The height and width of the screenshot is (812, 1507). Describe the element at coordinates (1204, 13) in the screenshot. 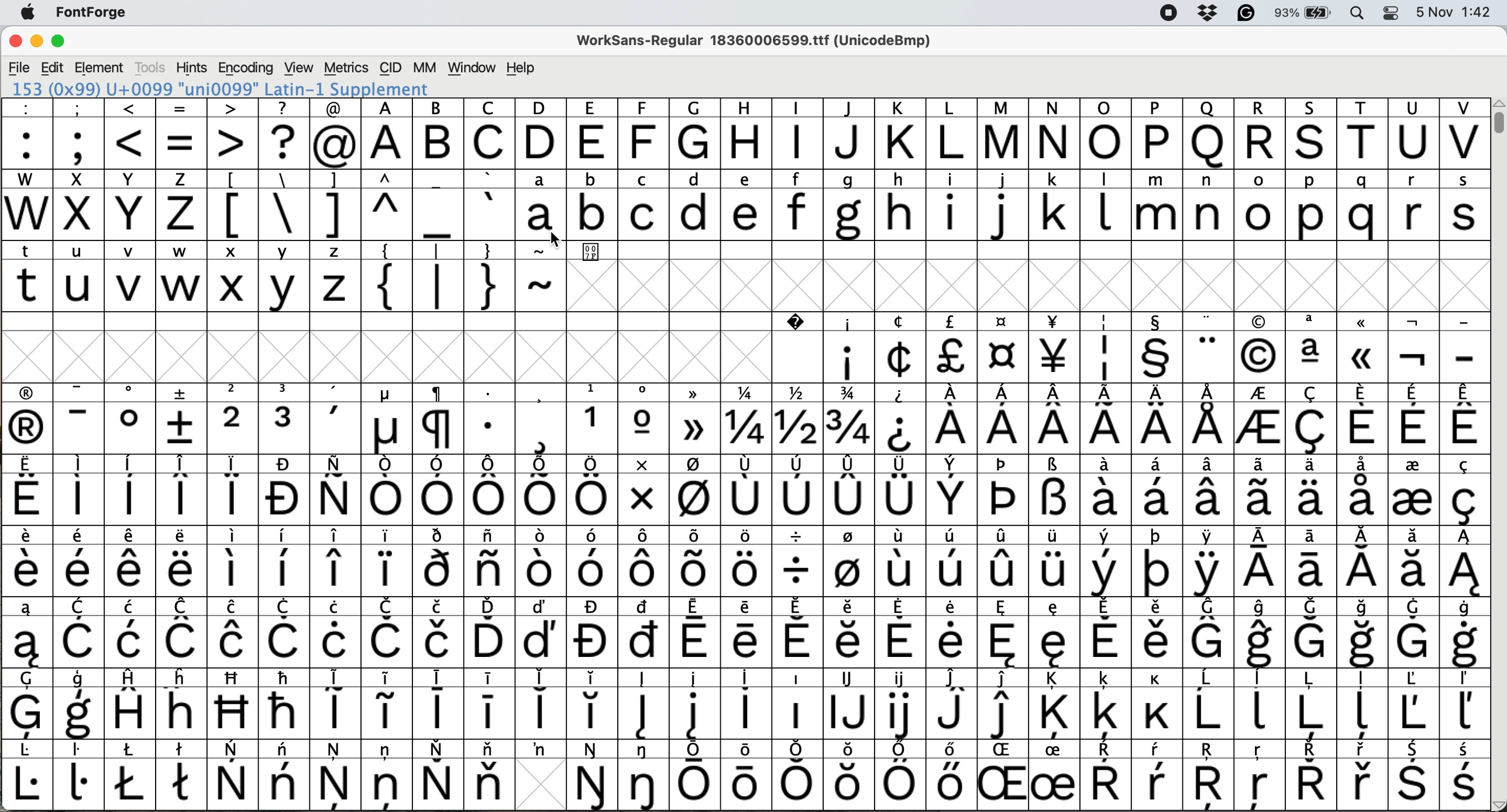

I see `dropbox` at that location.